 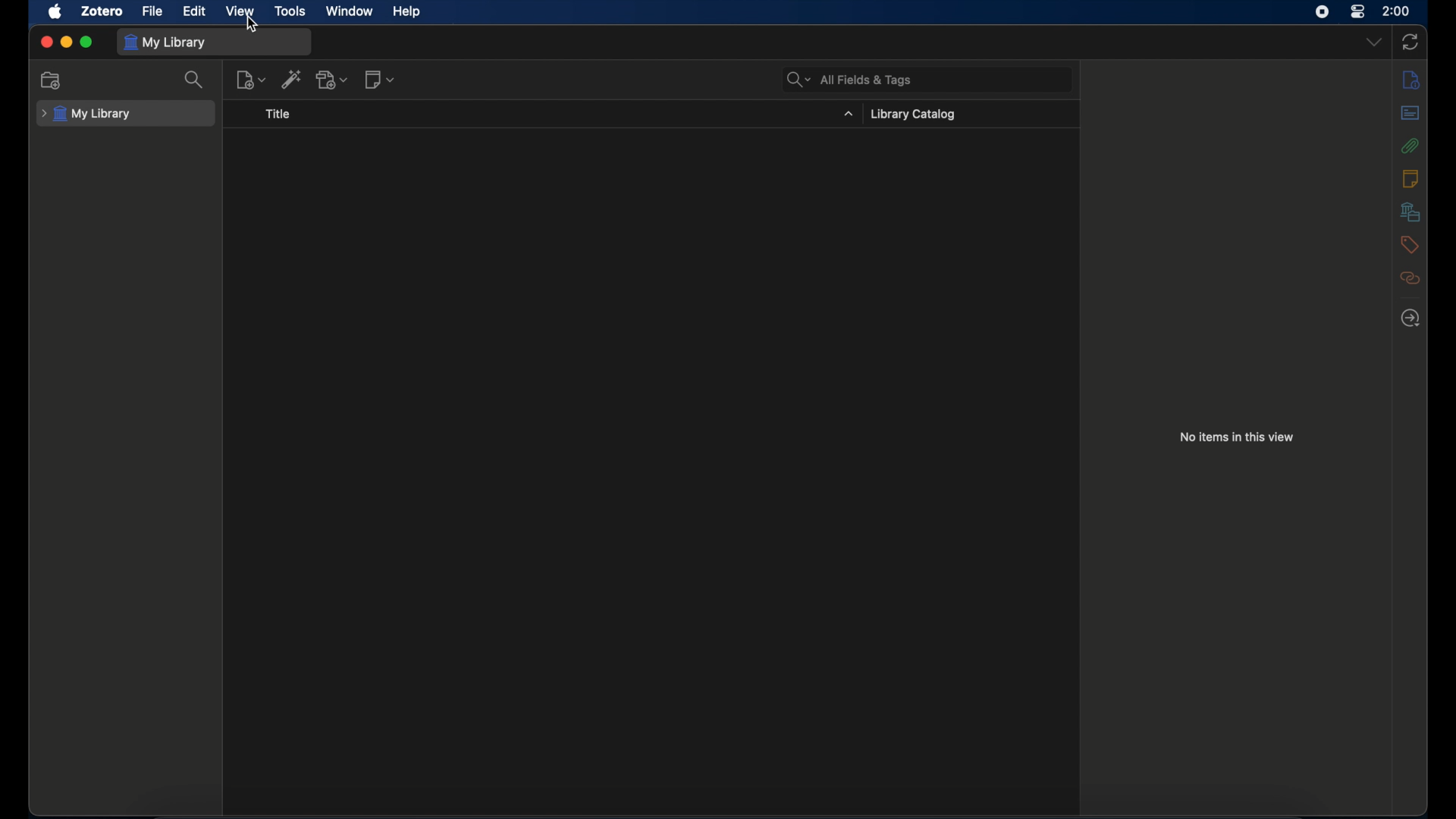 I want to click on view, so click(x=242, y=11).